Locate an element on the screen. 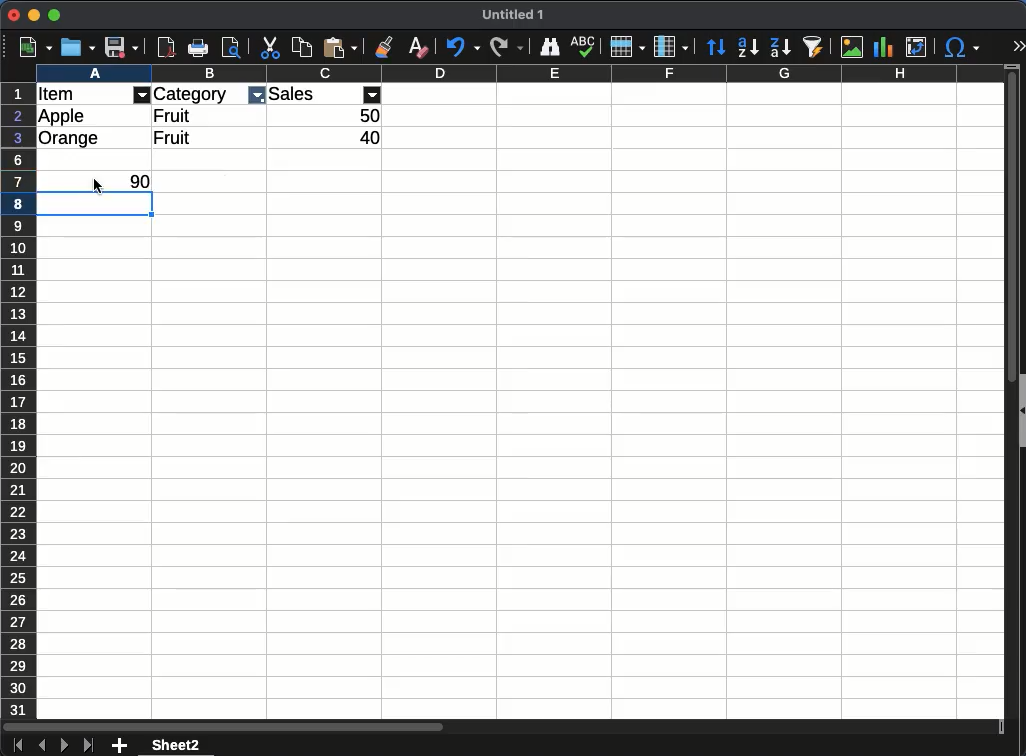 The height and width of the screenshot is (756, 1026). paste is located at coordinates (340, 48).